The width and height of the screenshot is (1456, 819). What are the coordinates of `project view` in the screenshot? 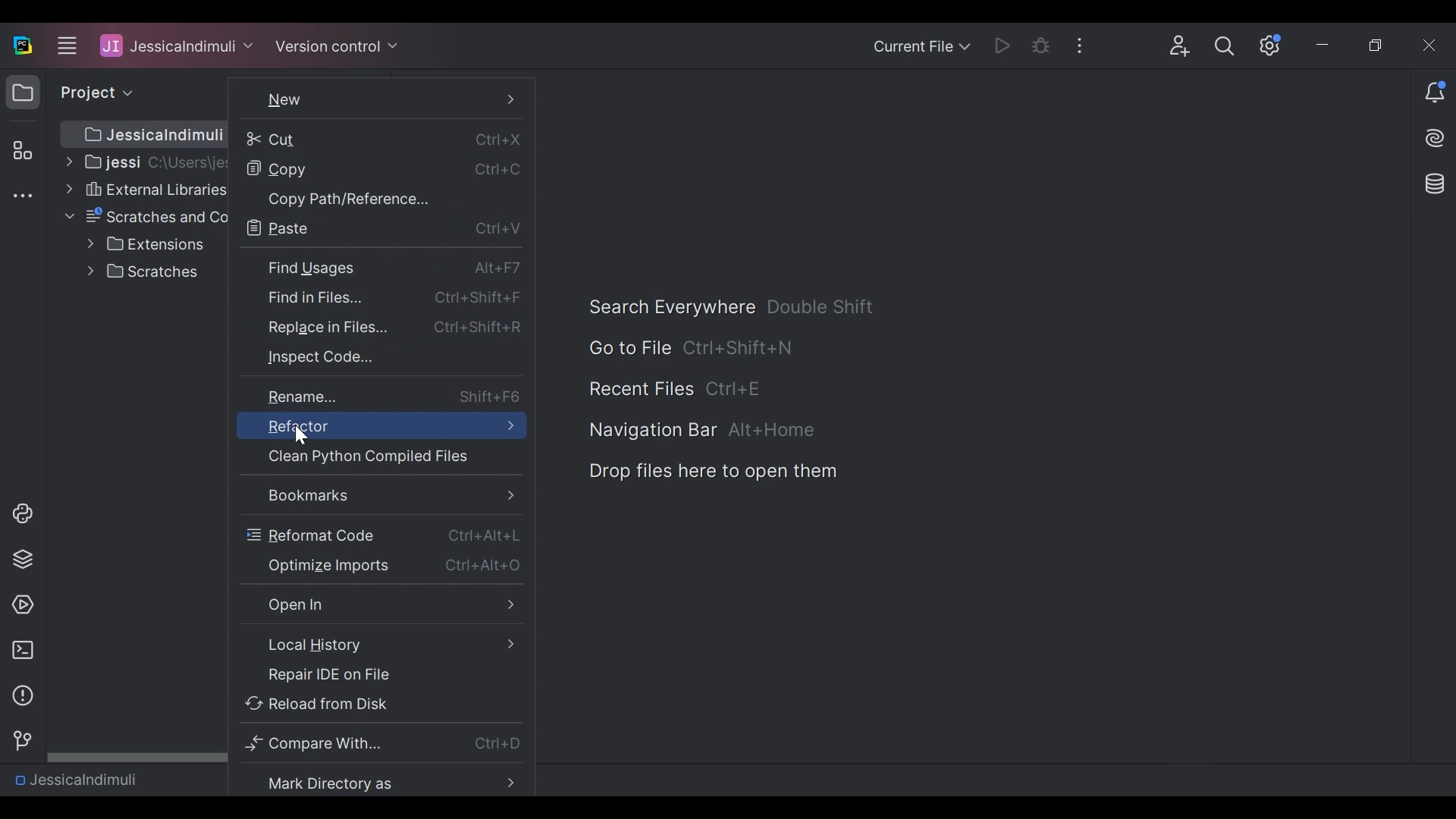 It's located at (93, 93).